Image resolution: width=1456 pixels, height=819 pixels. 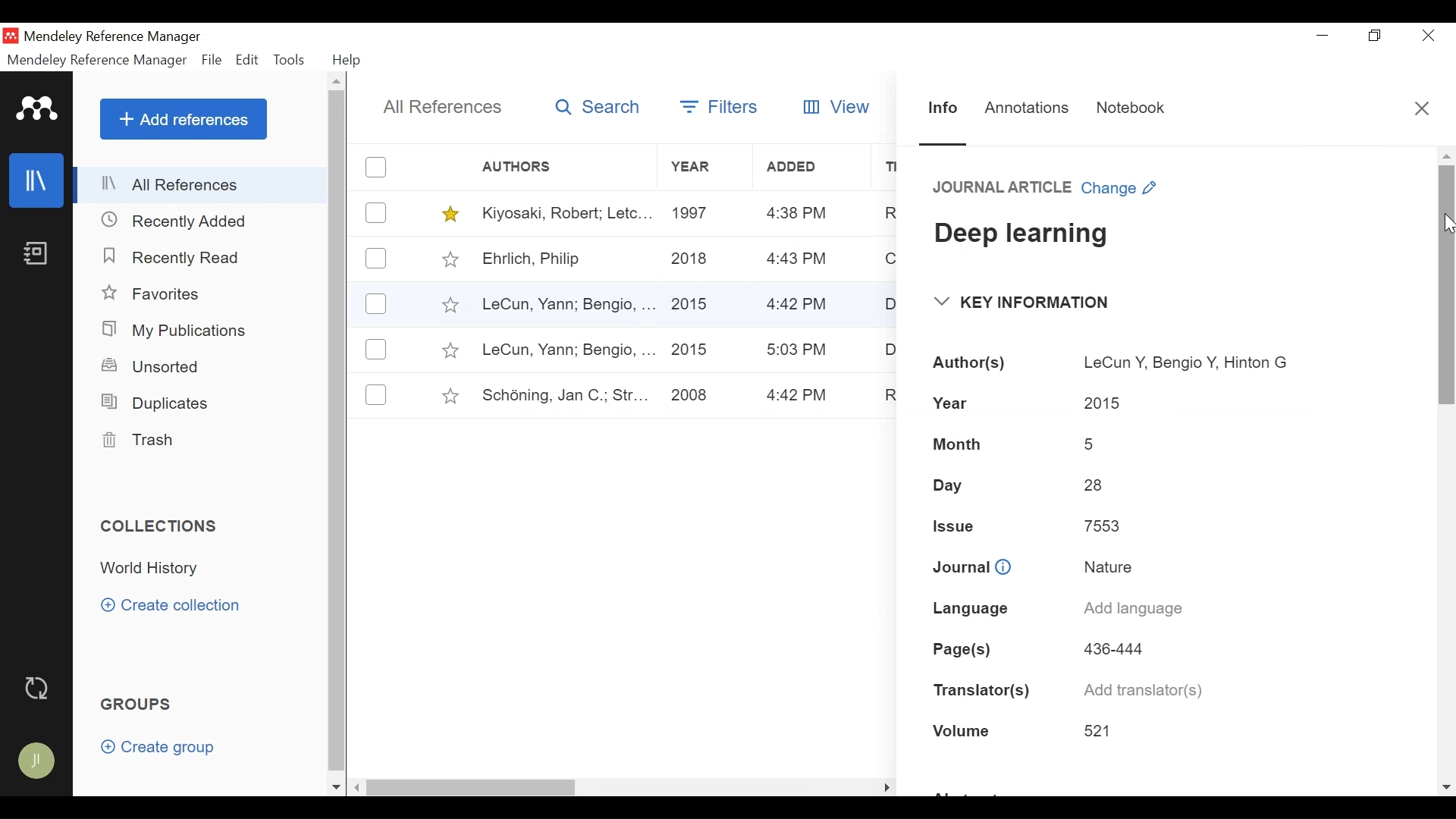 I want to click on Toggle Favorites, so click(x=450, y=259).